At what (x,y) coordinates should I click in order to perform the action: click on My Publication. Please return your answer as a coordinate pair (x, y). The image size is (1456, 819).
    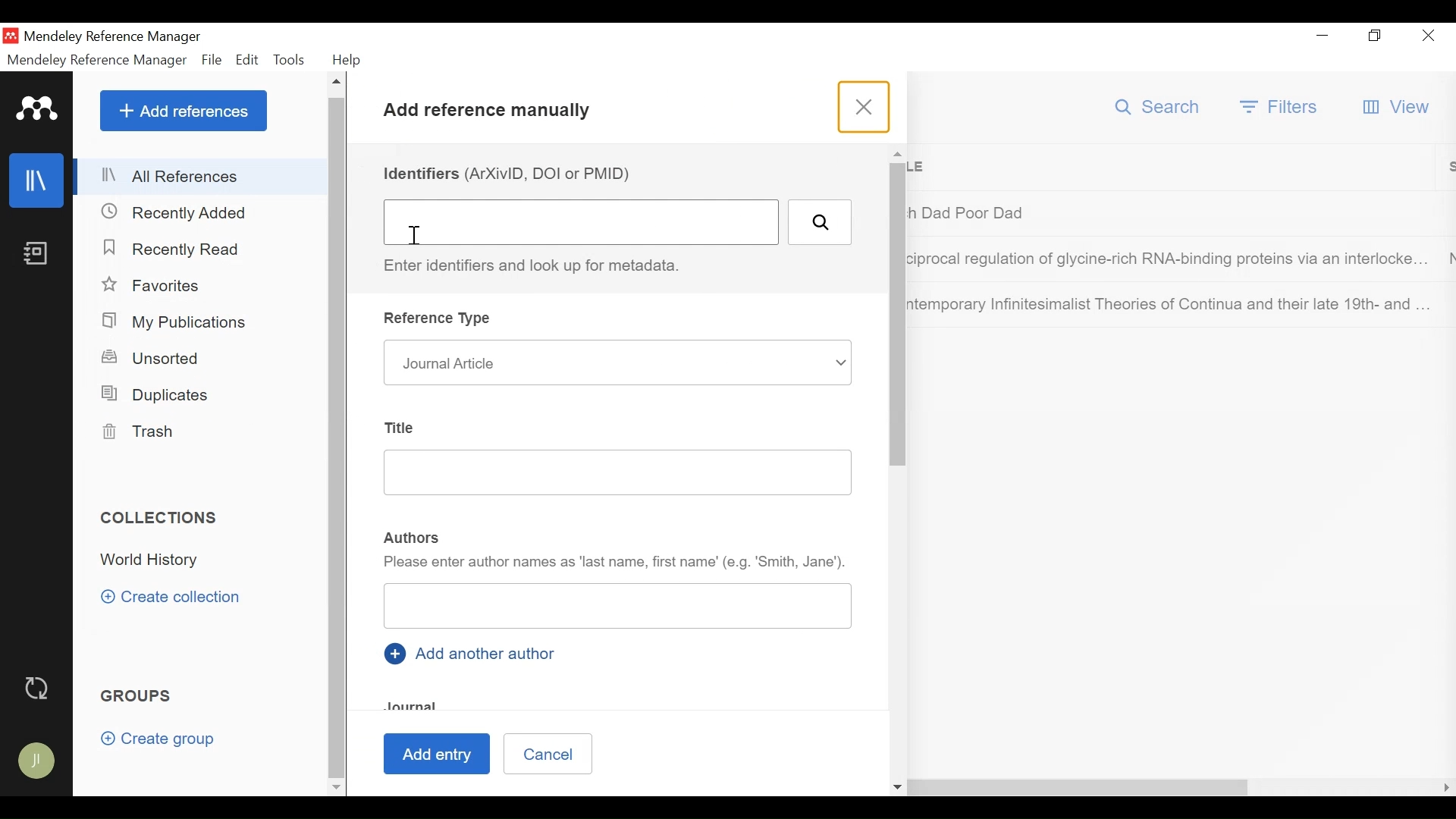
    Looking at the image, I should click on (177, 322).